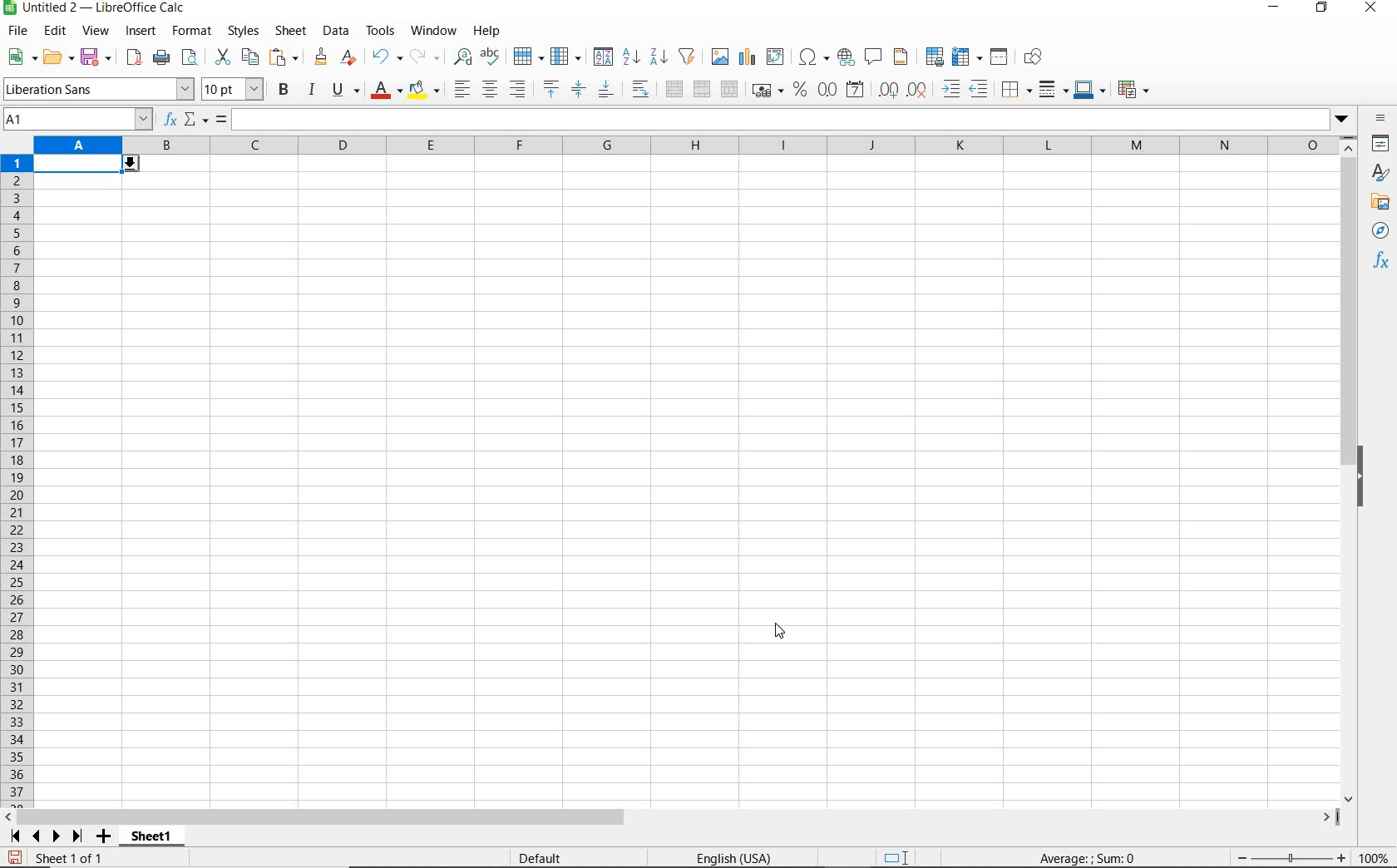 The height and width of the screenshot is (868, 1397). I want to click on navigator, so click(1383, 234).